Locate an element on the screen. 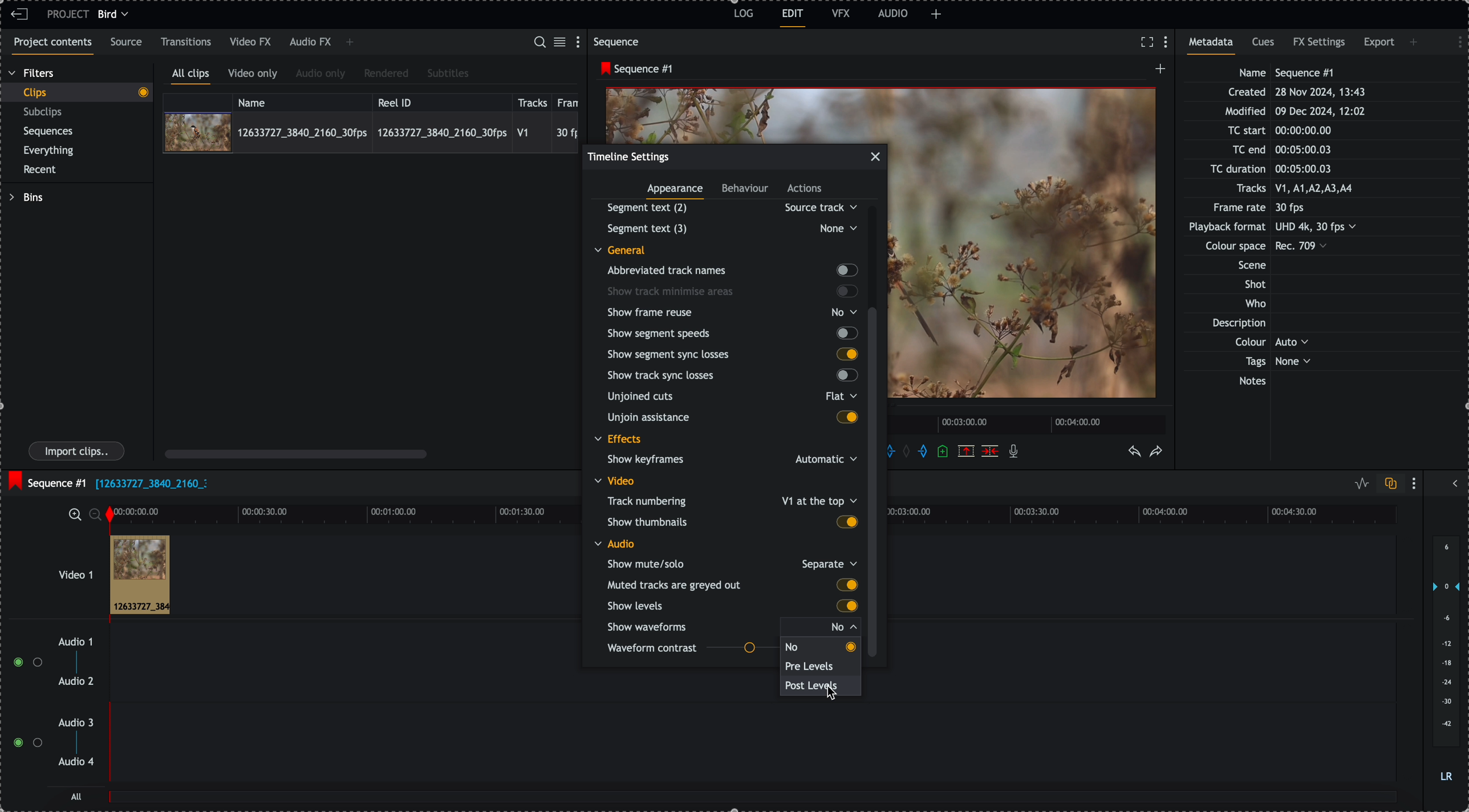 This screenshot has height=812, width=1469. track numbering is located at coordinates (731, 500).